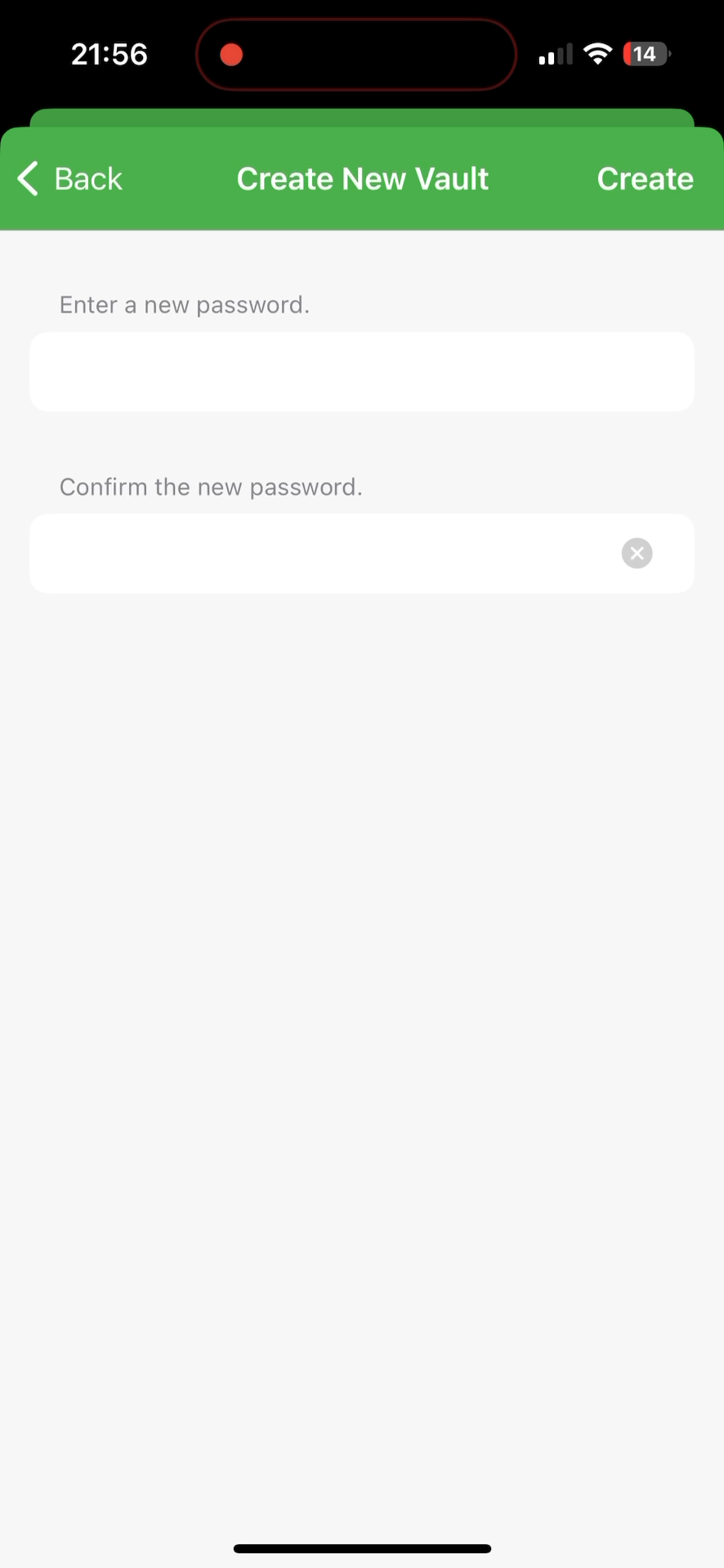  Describe the element at coordinates (216, 485) in the screenshot. I see `confirm the new password` at that location.